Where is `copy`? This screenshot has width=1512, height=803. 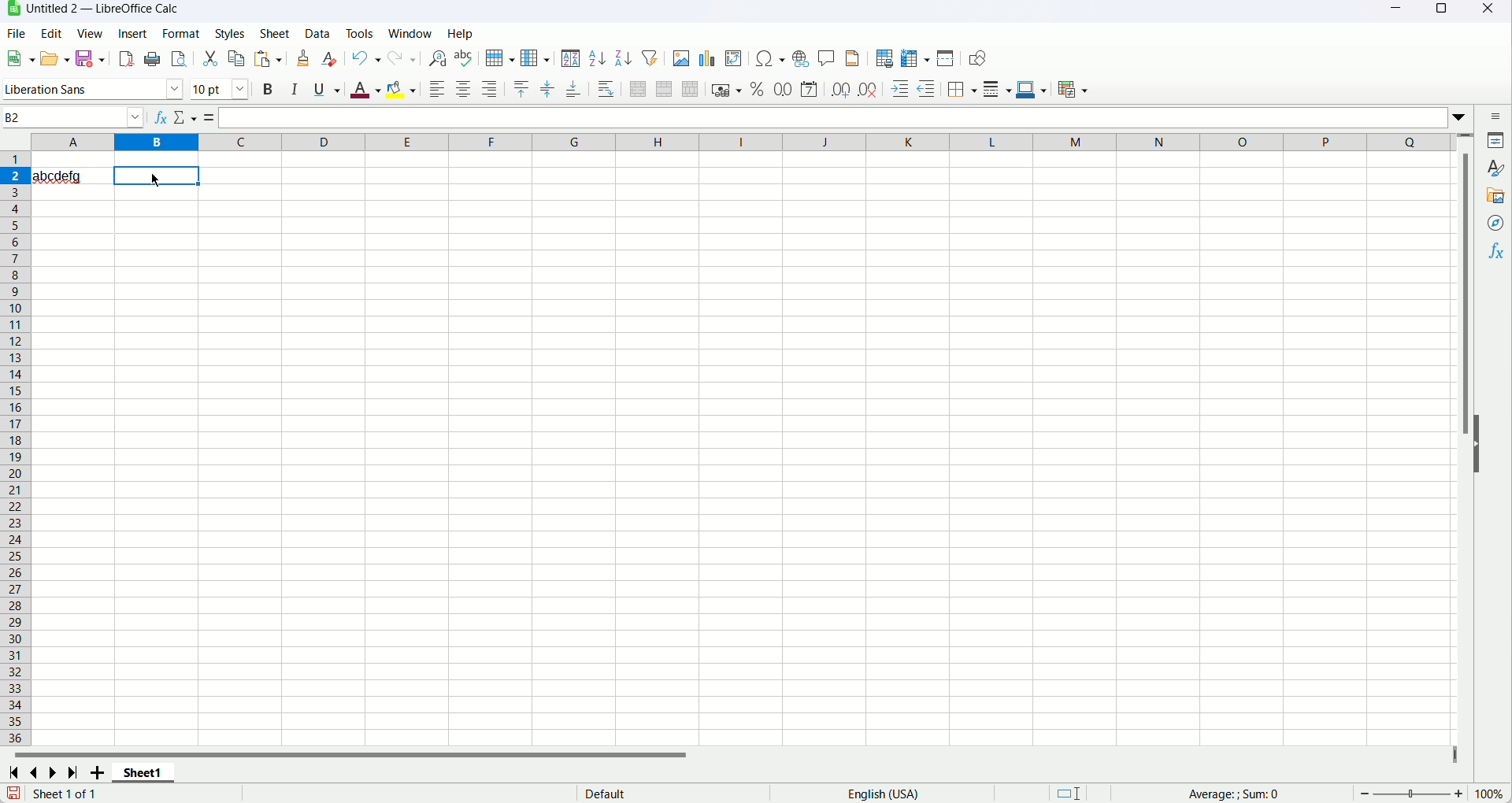 copy is located at coordinates (236, 58).